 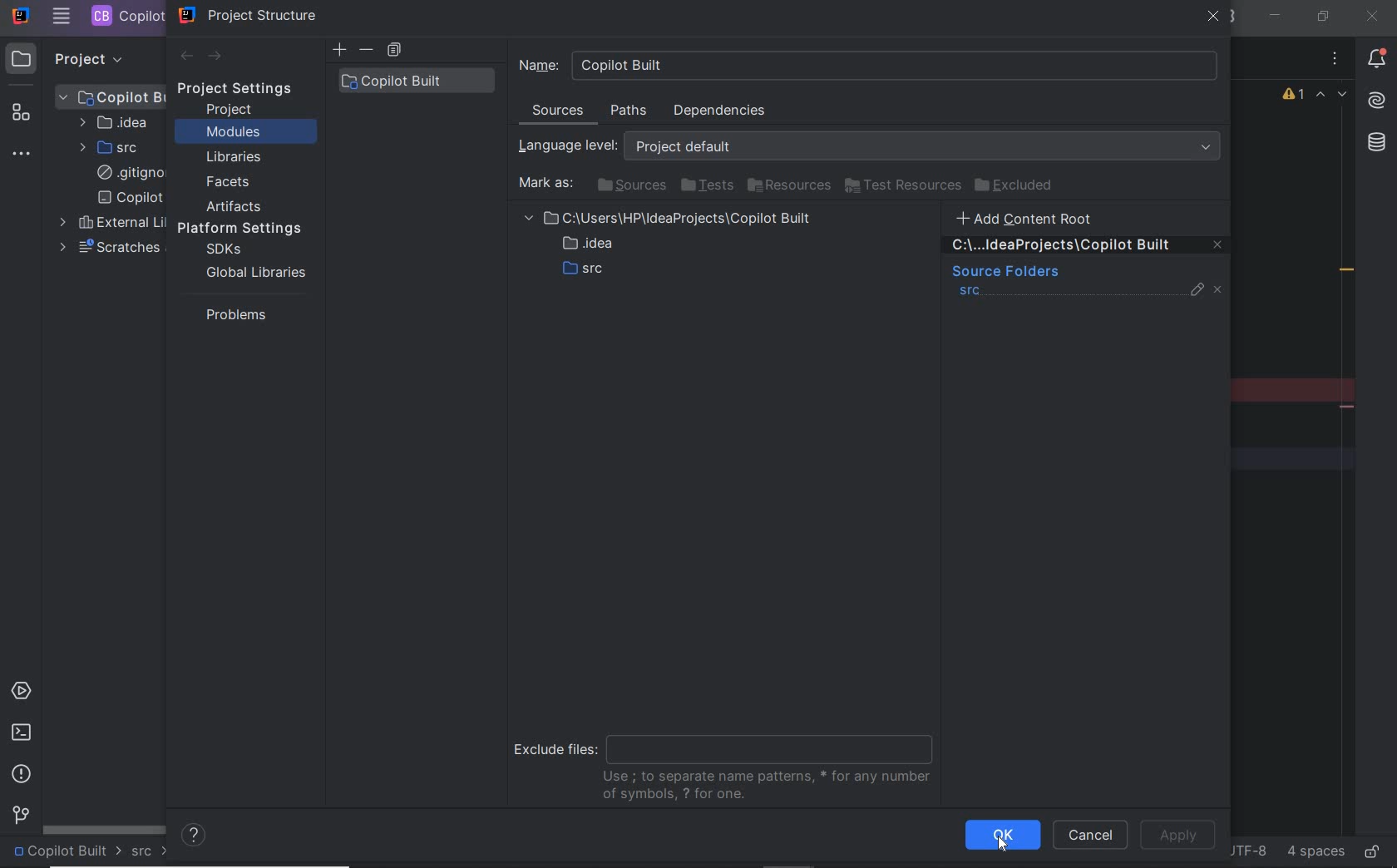 I want to click on remove line, so click(x=1349, y=407).